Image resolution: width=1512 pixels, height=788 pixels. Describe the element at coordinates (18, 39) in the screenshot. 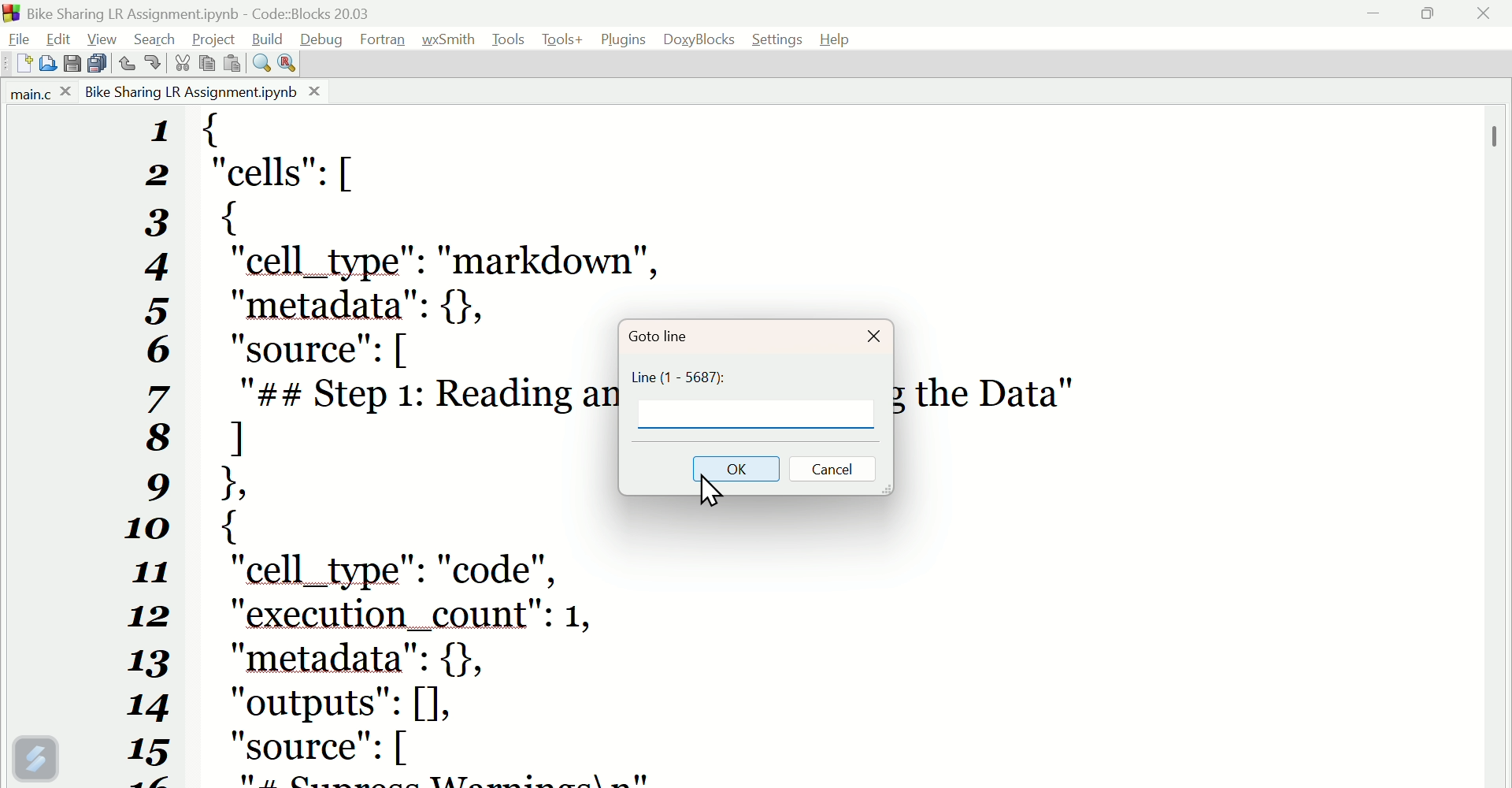

I see `File` at that location.